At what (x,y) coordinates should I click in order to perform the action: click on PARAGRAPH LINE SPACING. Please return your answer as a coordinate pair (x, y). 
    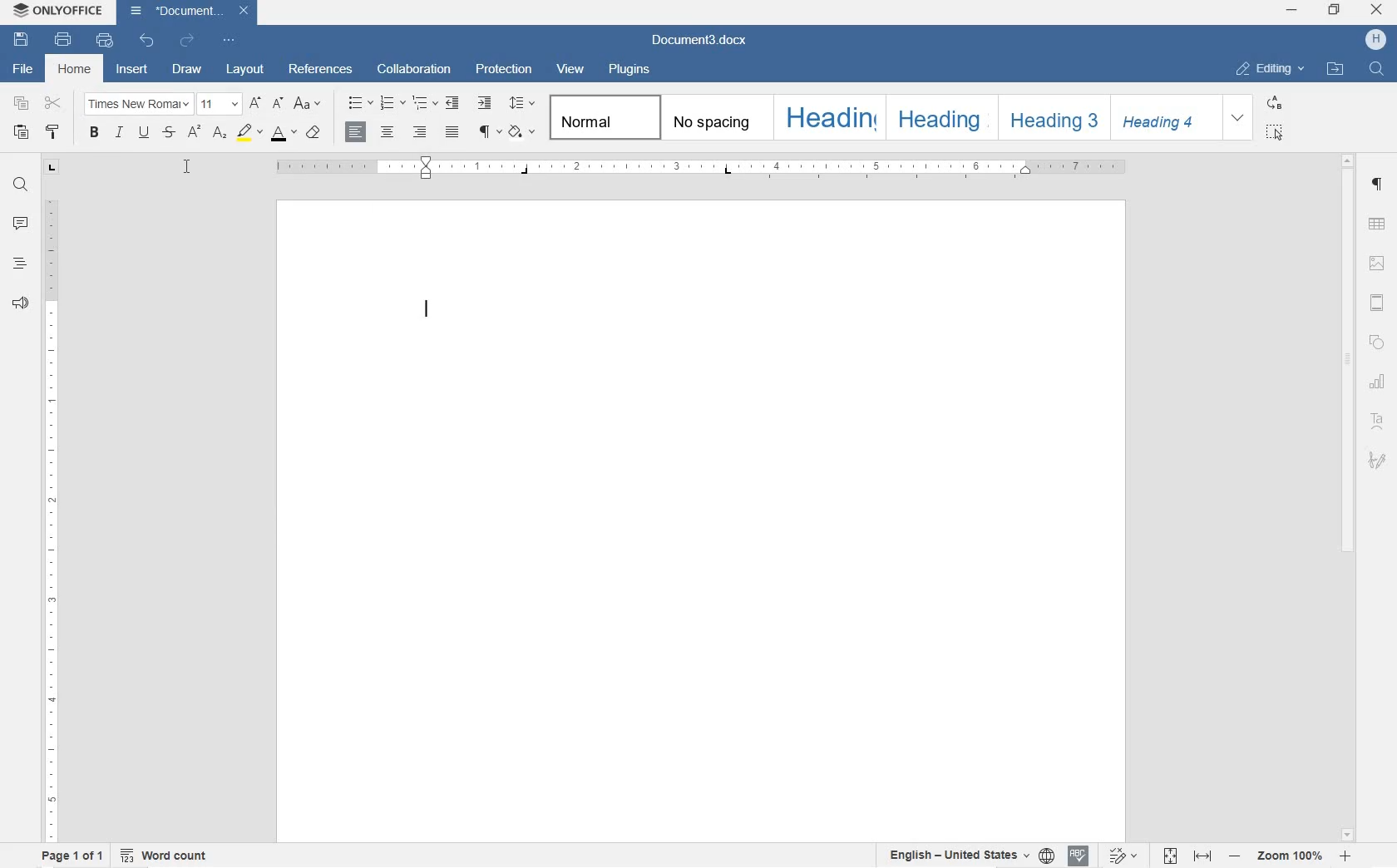
    Looking at the image, I should click on (522, 101).